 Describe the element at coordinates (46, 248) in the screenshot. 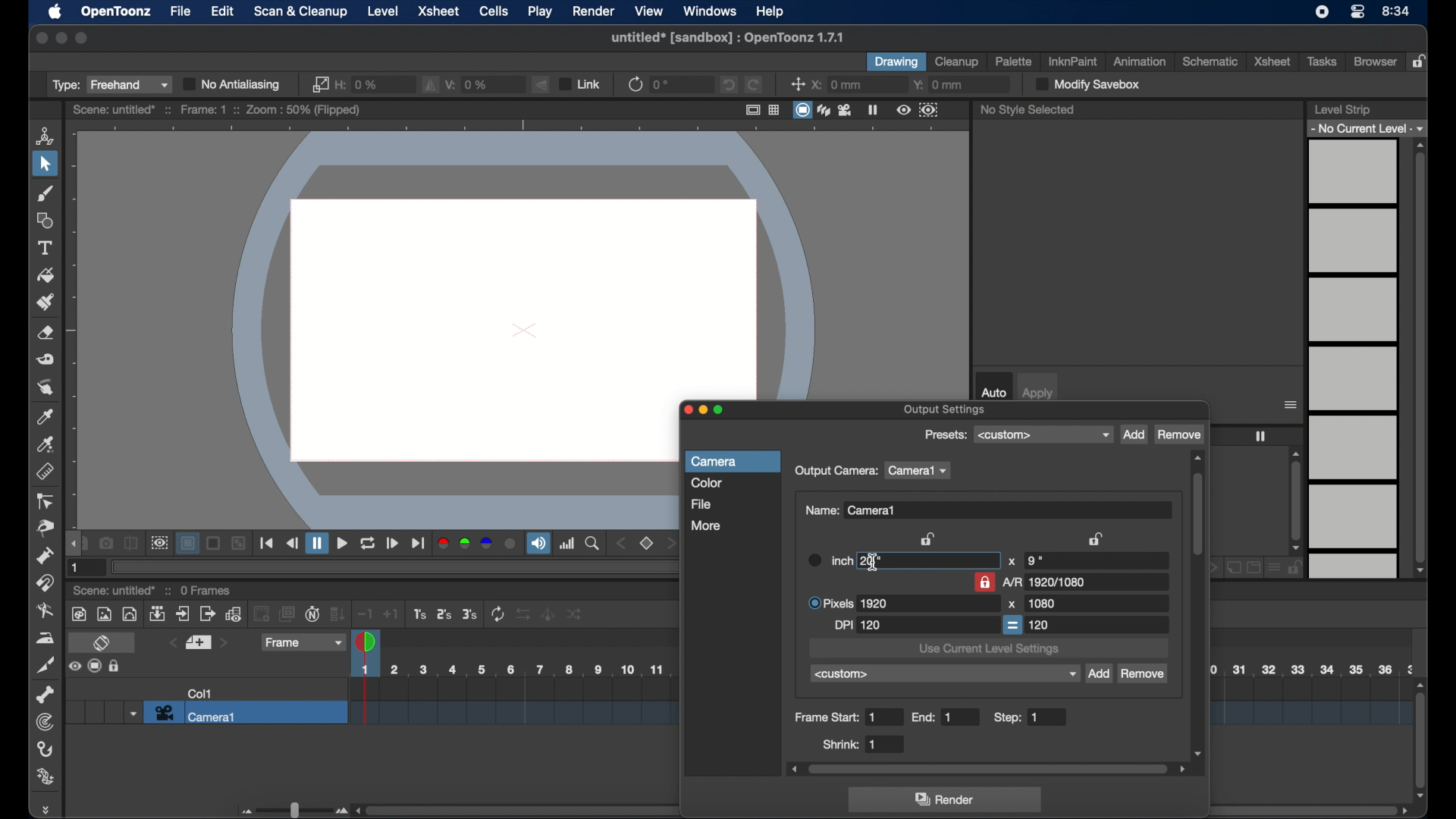

I see `type tool` at that location.